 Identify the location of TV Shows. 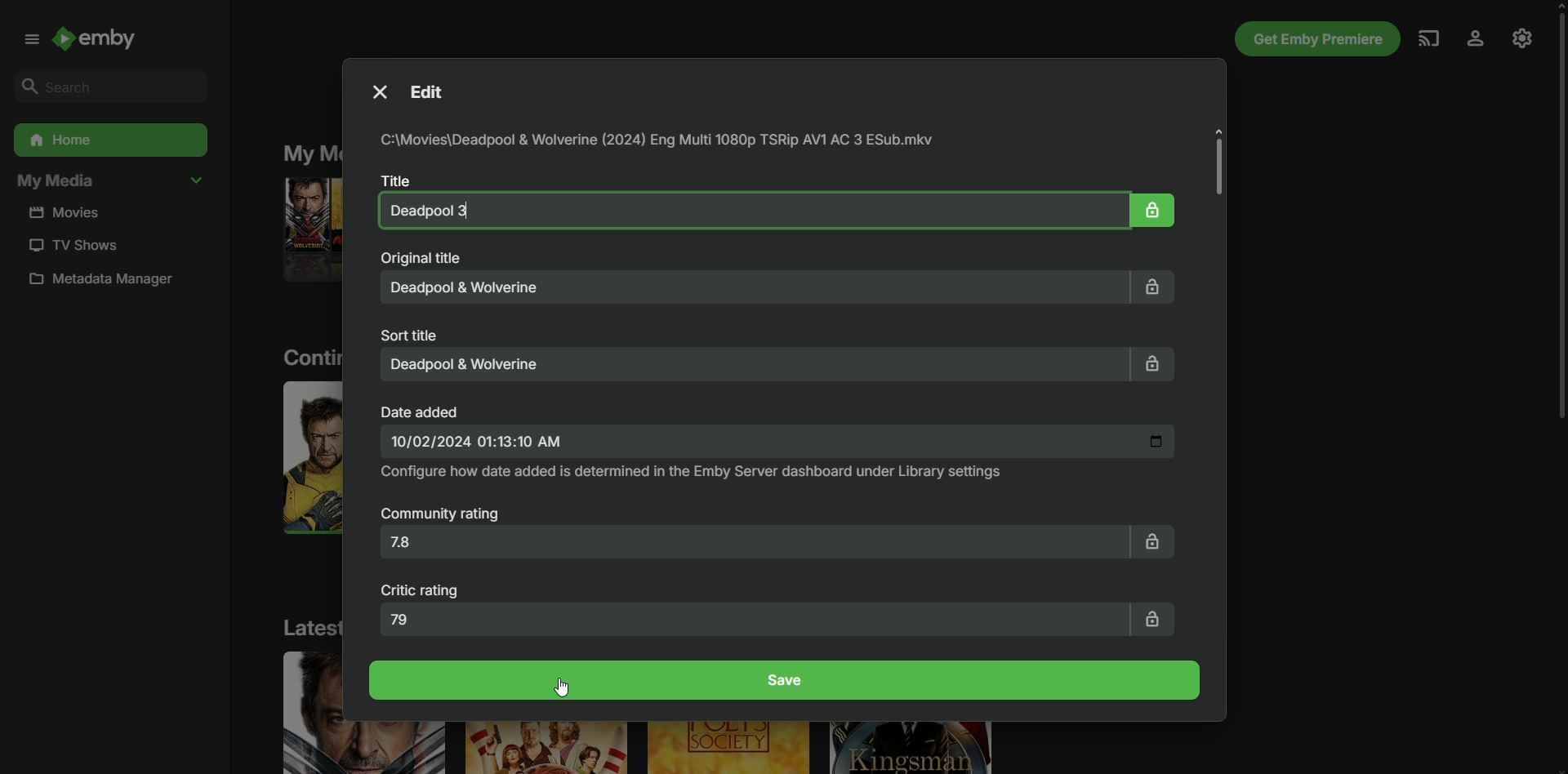
(71, 245).